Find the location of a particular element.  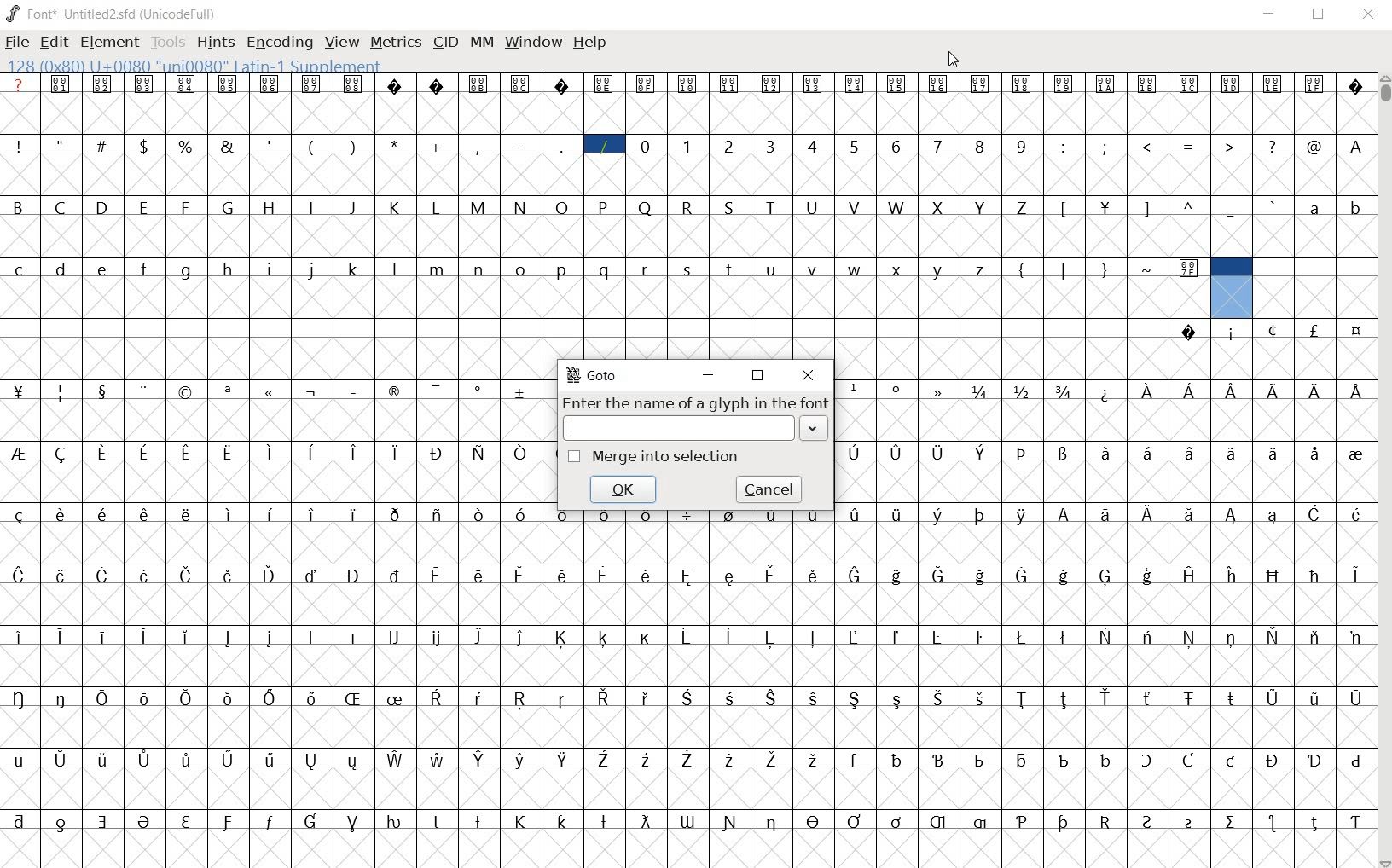

! is located at coordinates (19, 145).